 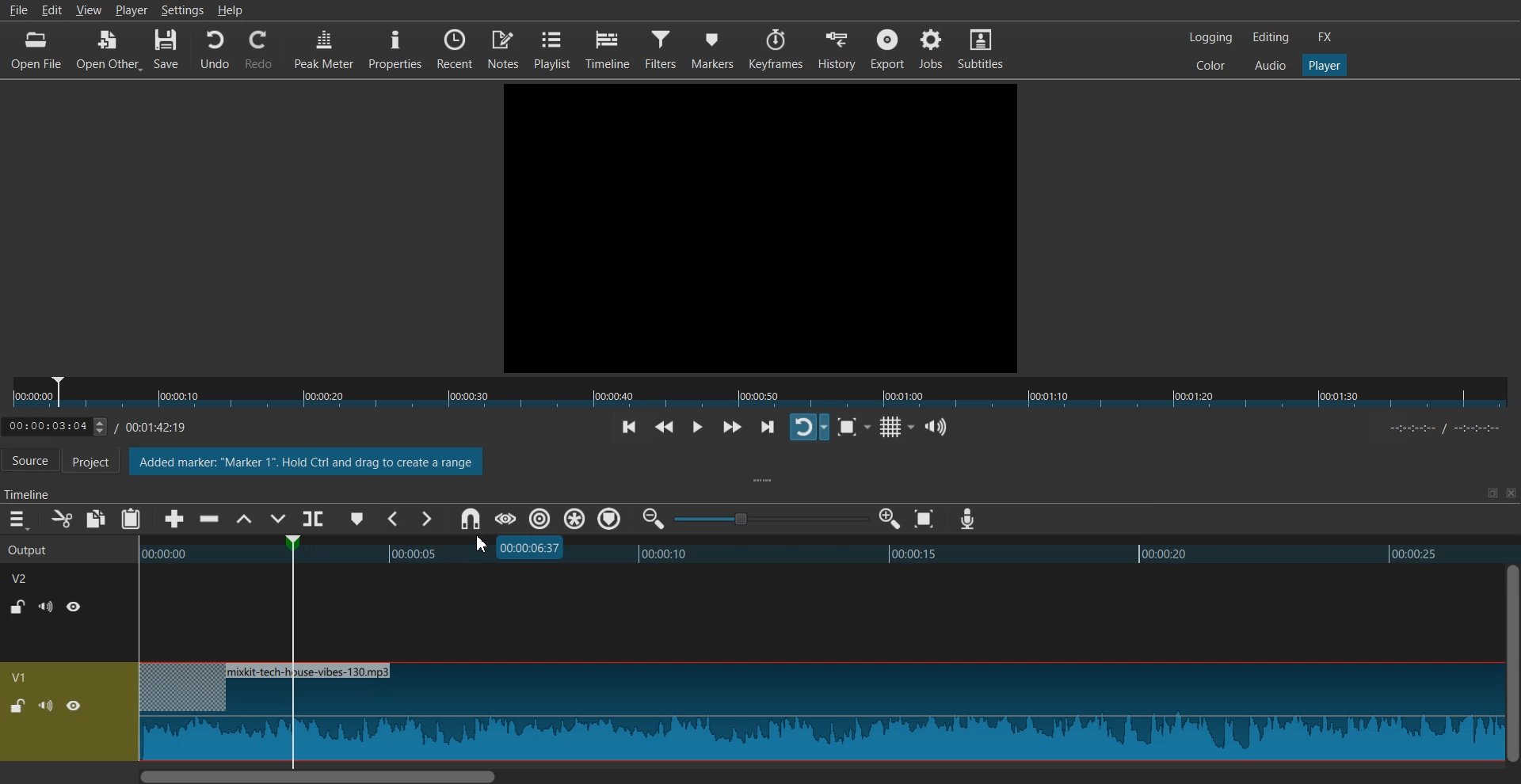 What do you see at coordinates (395, 48) in the screenshot?
I see `Properties` at bounding box center [395, 48].